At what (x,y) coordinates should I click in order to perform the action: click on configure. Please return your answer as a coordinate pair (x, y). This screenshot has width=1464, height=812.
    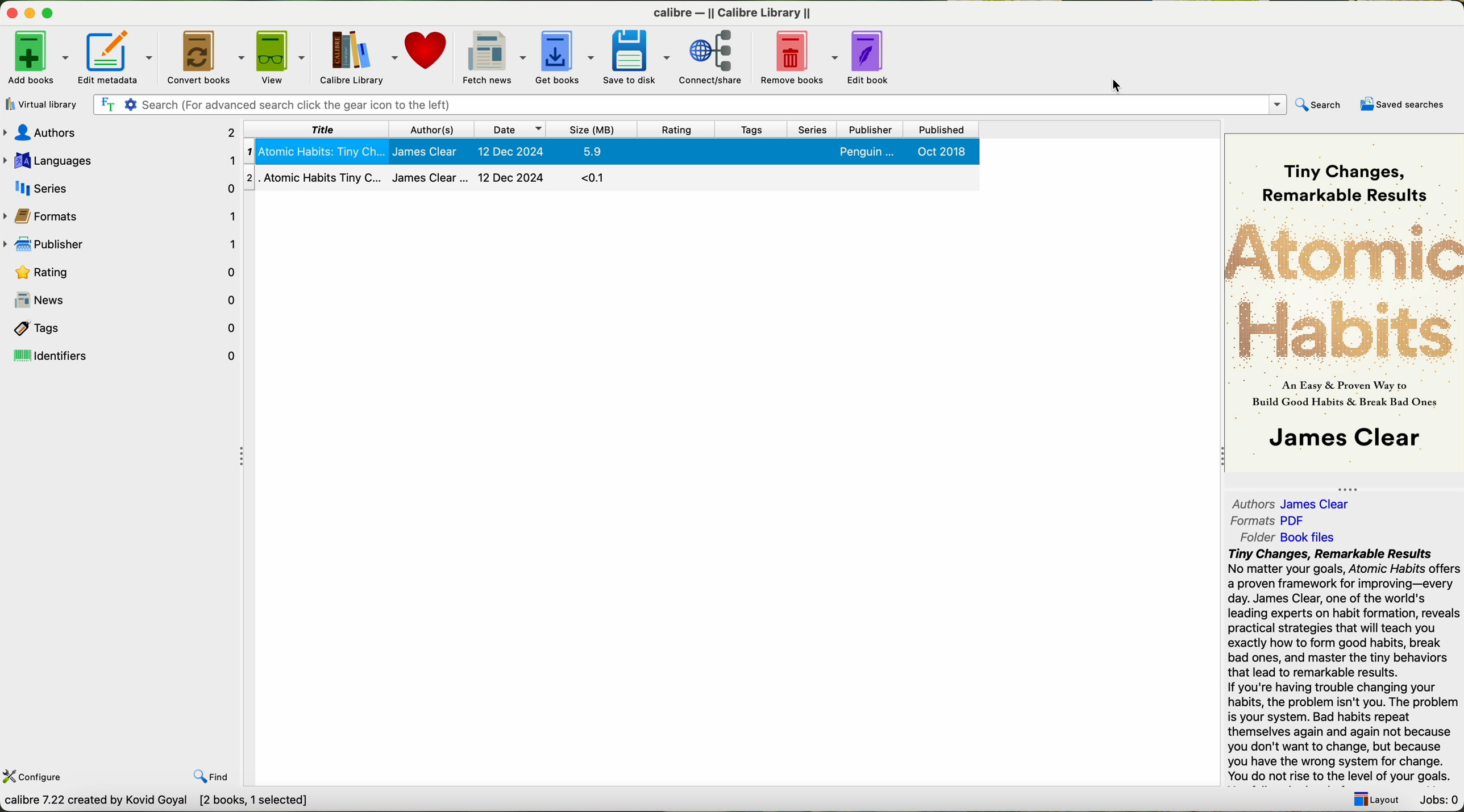
    Looking at the image, I should click on (34, 778).